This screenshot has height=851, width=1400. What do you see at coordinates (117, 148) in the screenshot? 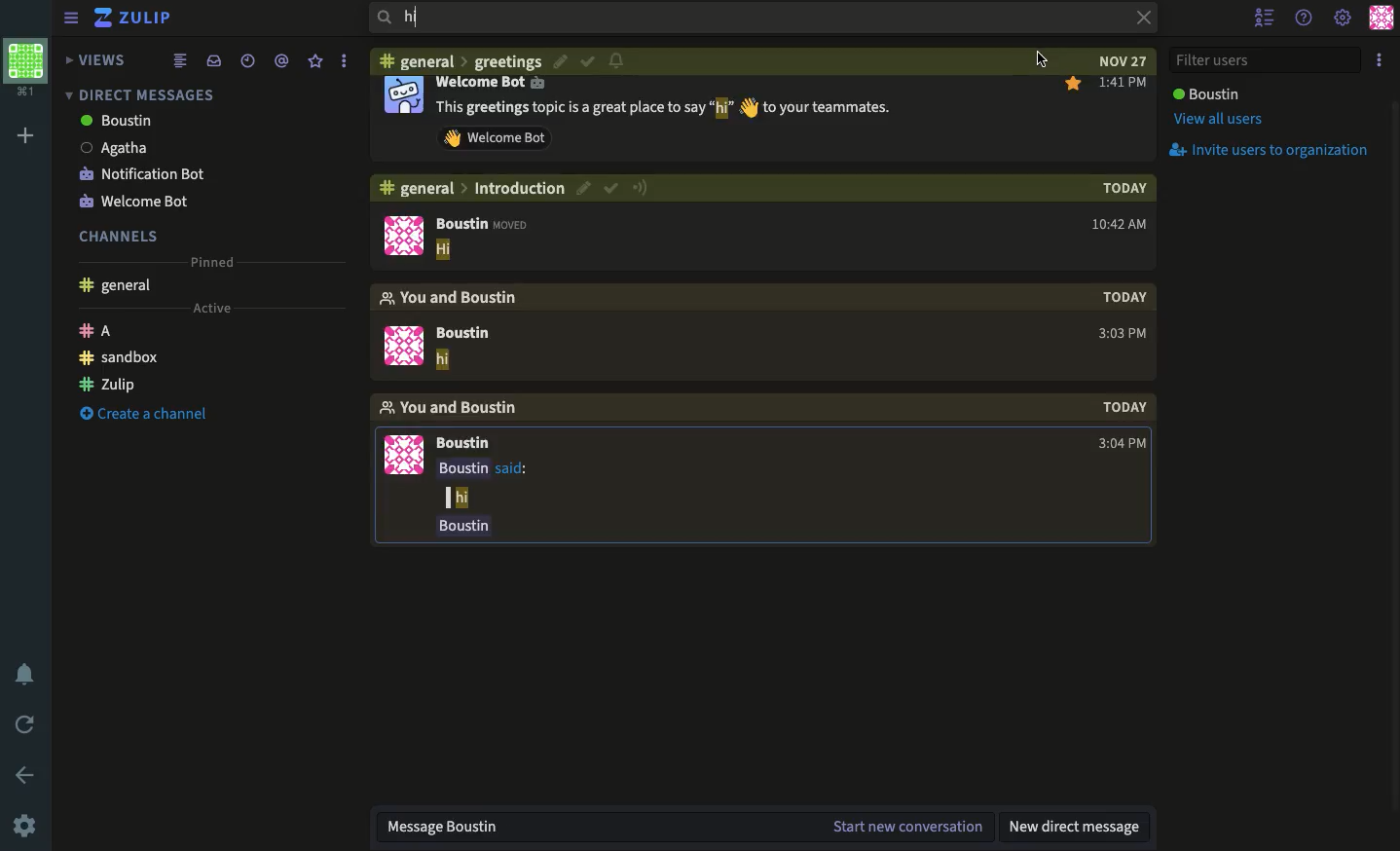
I see `Agatha` at bounding box center [117, 148].